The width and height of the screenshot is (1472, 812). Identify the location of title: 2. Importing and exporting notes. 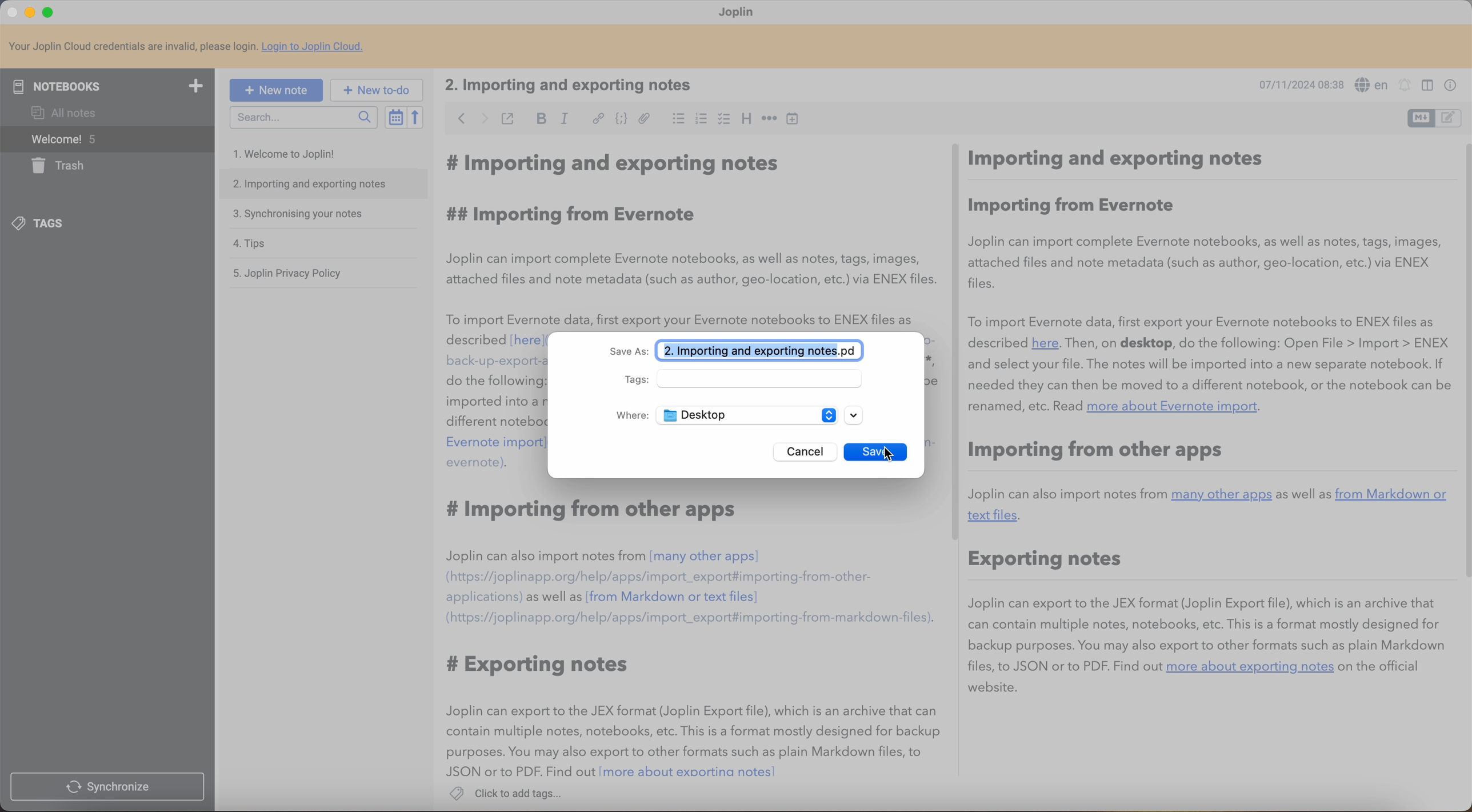
(578, 85).